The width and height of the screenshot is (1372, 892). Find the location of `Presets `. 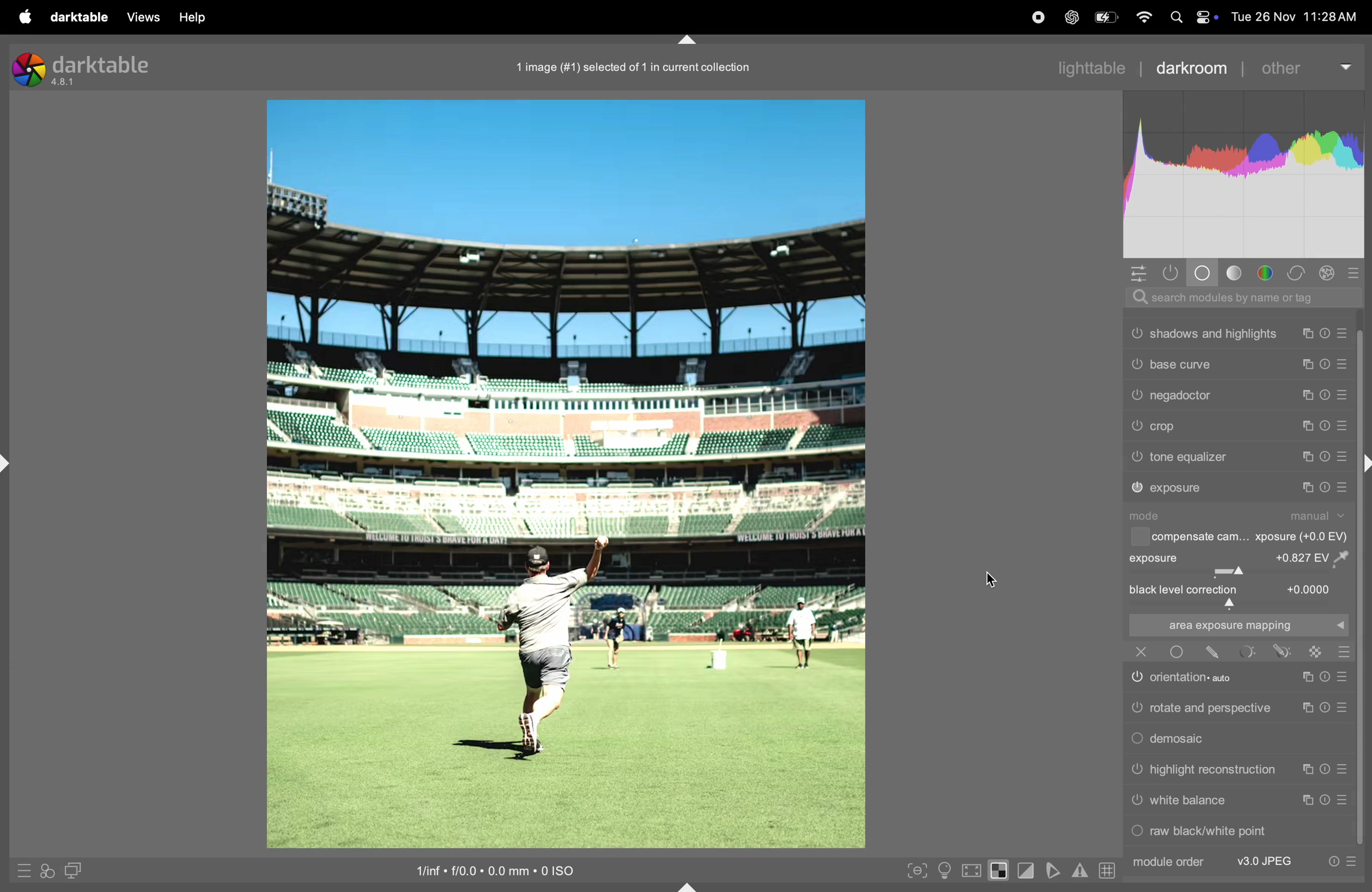

Presets  is located at coordinates (1342, 366).